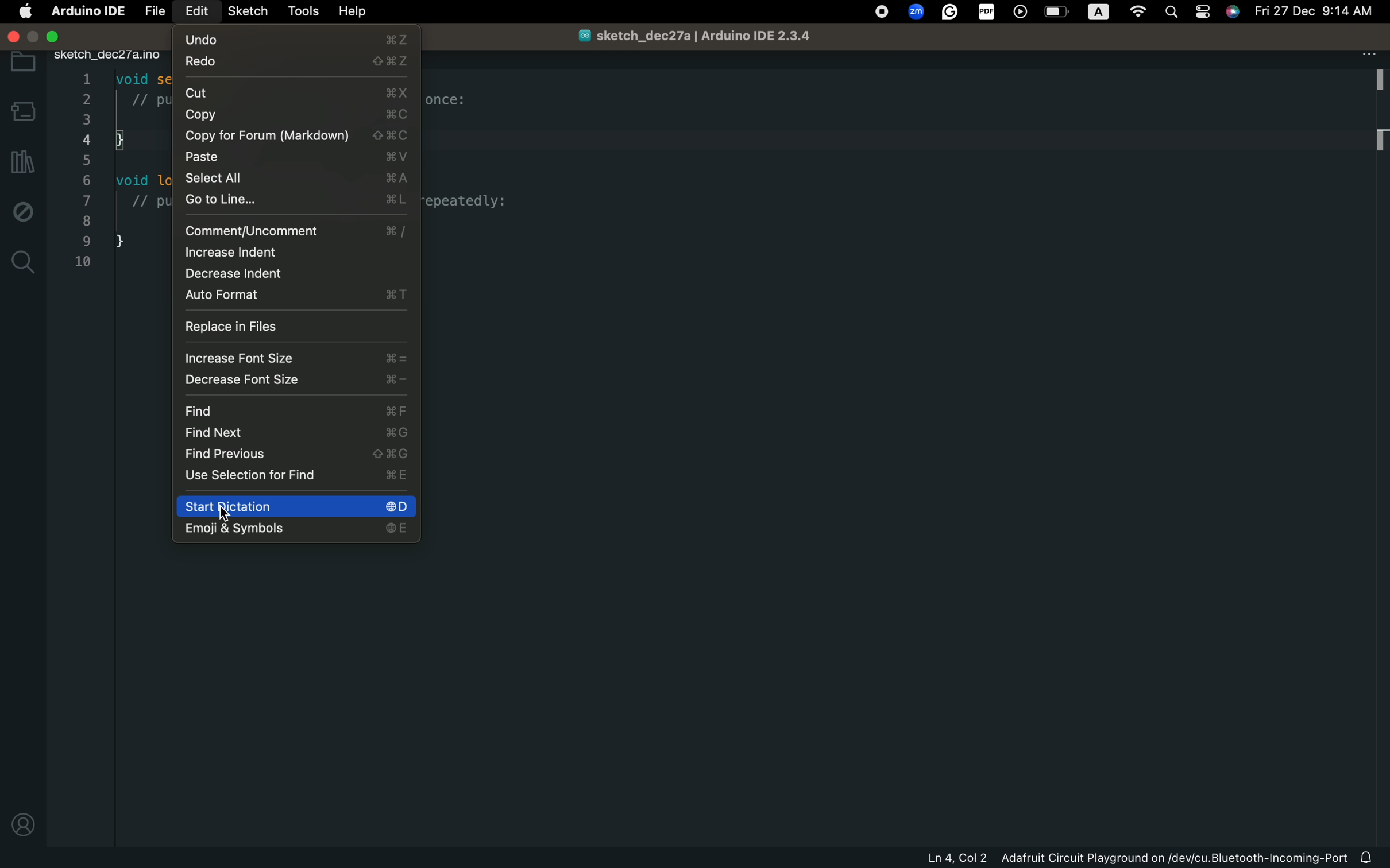 The height and width of the screenshot is (868, 1390). I want to click on folder, so click(20, 62).